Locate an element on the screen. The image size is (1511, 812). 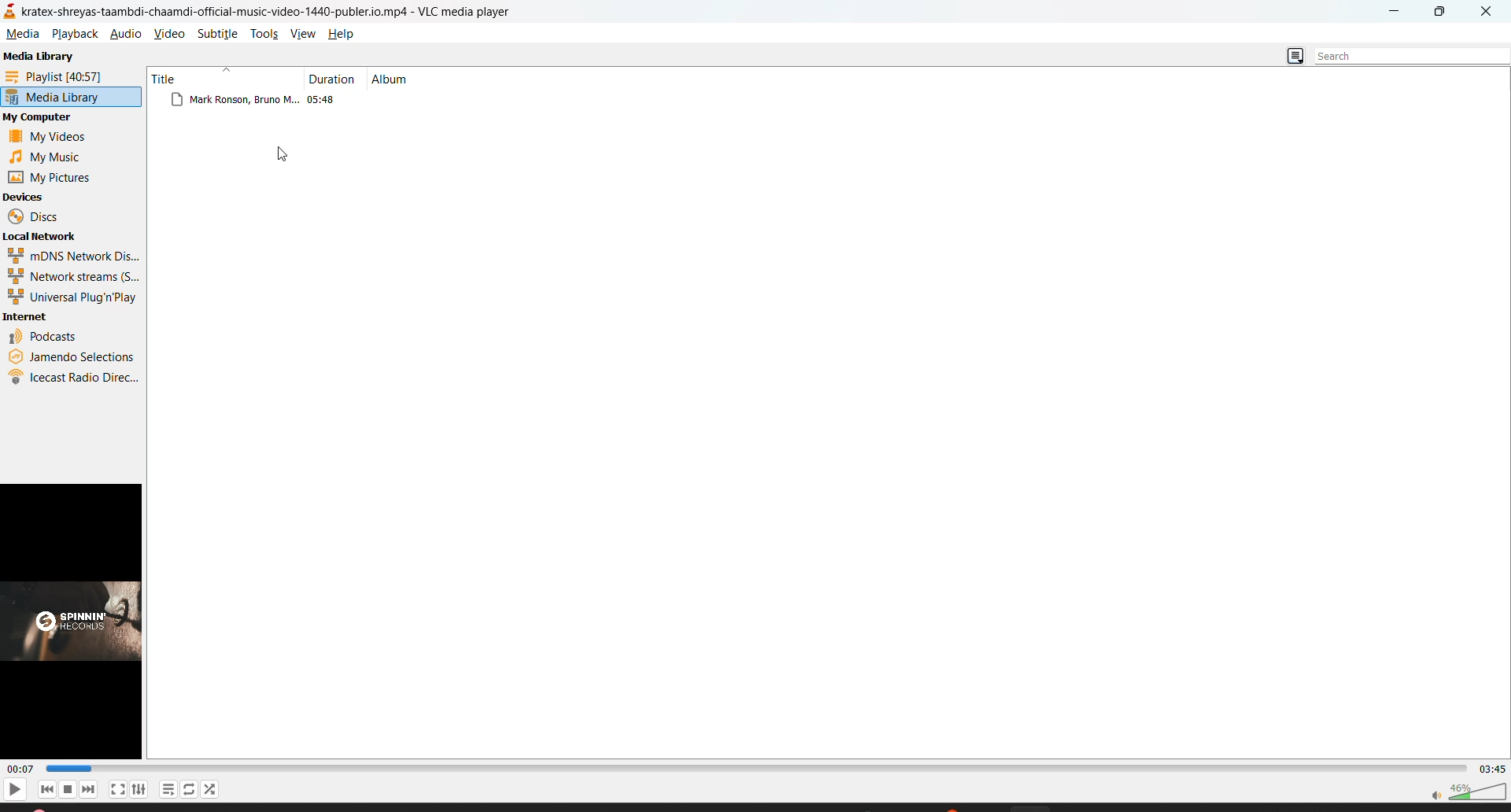
subtitle is located at coordinates (220, 32).